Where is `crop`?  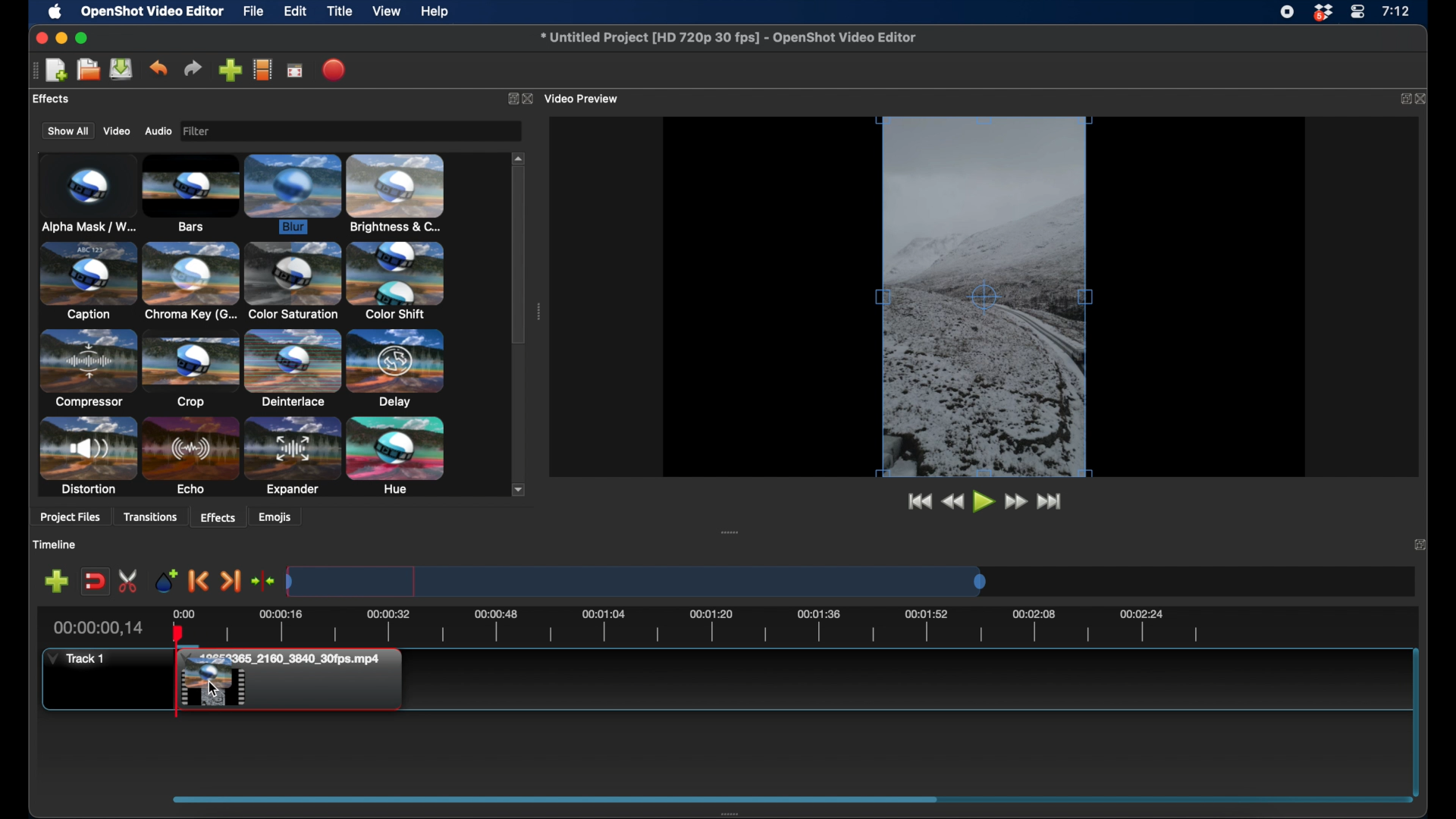
crop is located at coordinates (190, 369).